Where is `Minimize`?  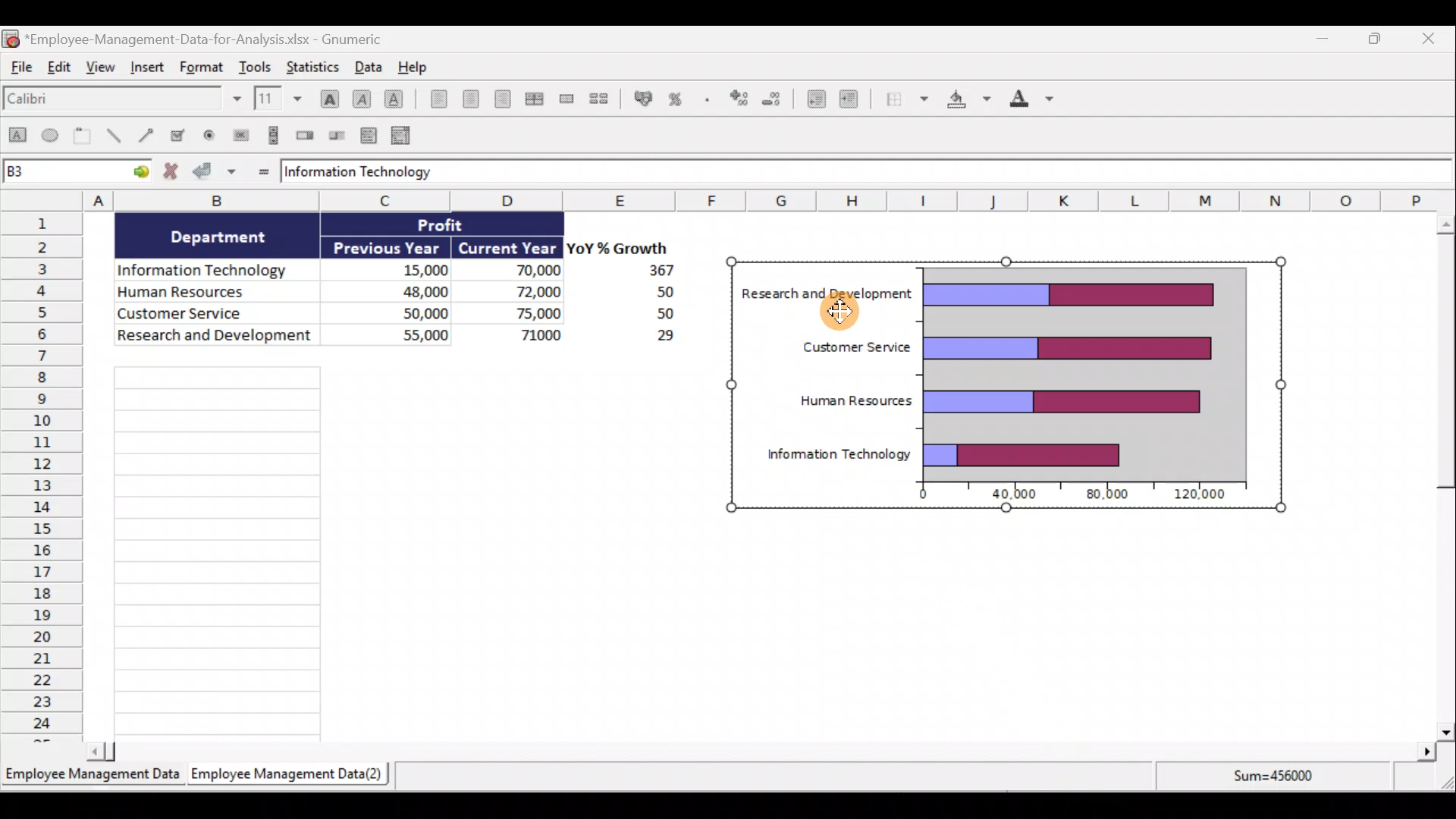 Minimize is located at coordinates (1322, 39).